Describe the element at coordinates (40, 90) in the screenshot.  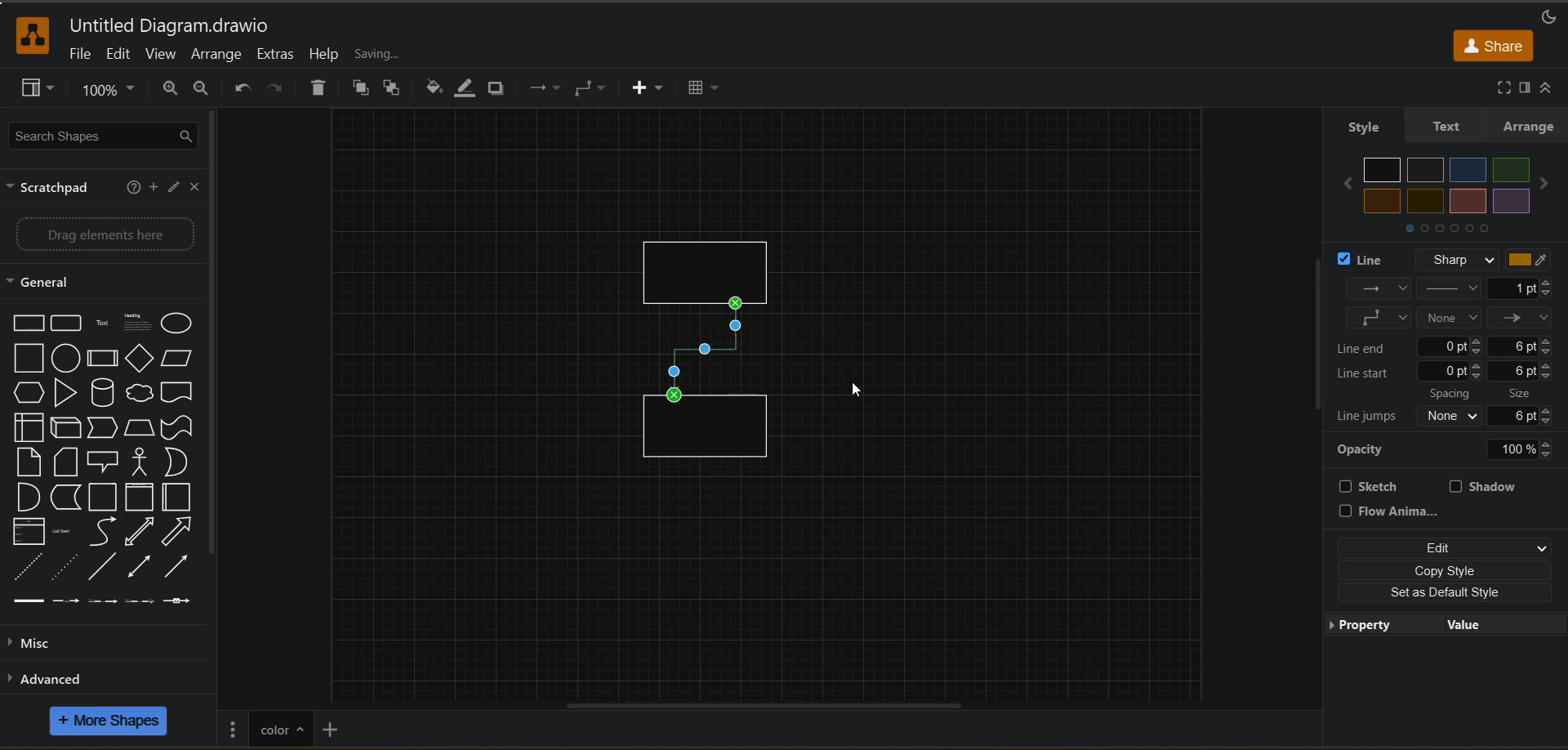
I see `view` at that location.